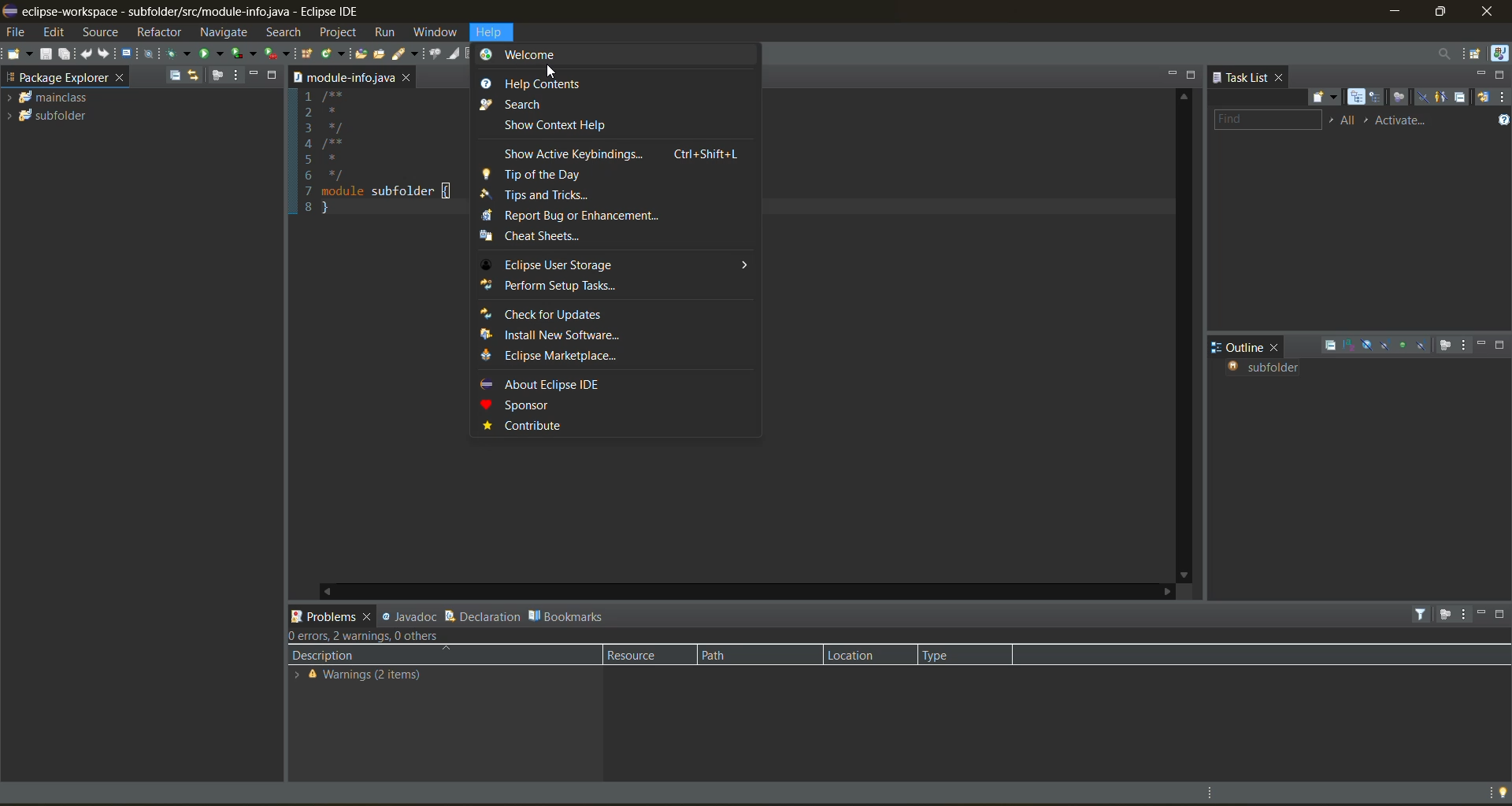  I want to click on maximize, so click(1193, 76).